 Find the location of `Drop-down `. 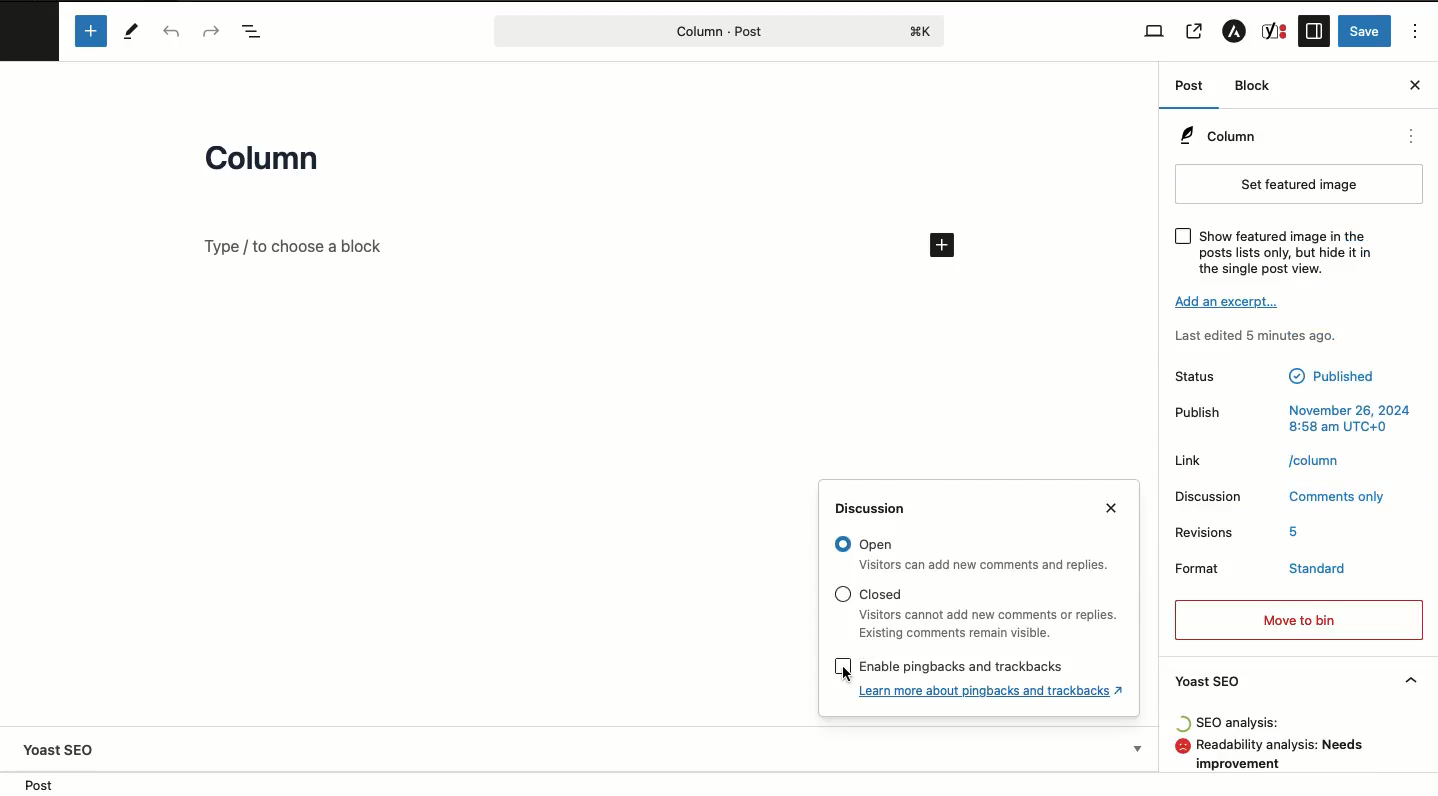

Drop-down  is located at coordinates (1140, 748).